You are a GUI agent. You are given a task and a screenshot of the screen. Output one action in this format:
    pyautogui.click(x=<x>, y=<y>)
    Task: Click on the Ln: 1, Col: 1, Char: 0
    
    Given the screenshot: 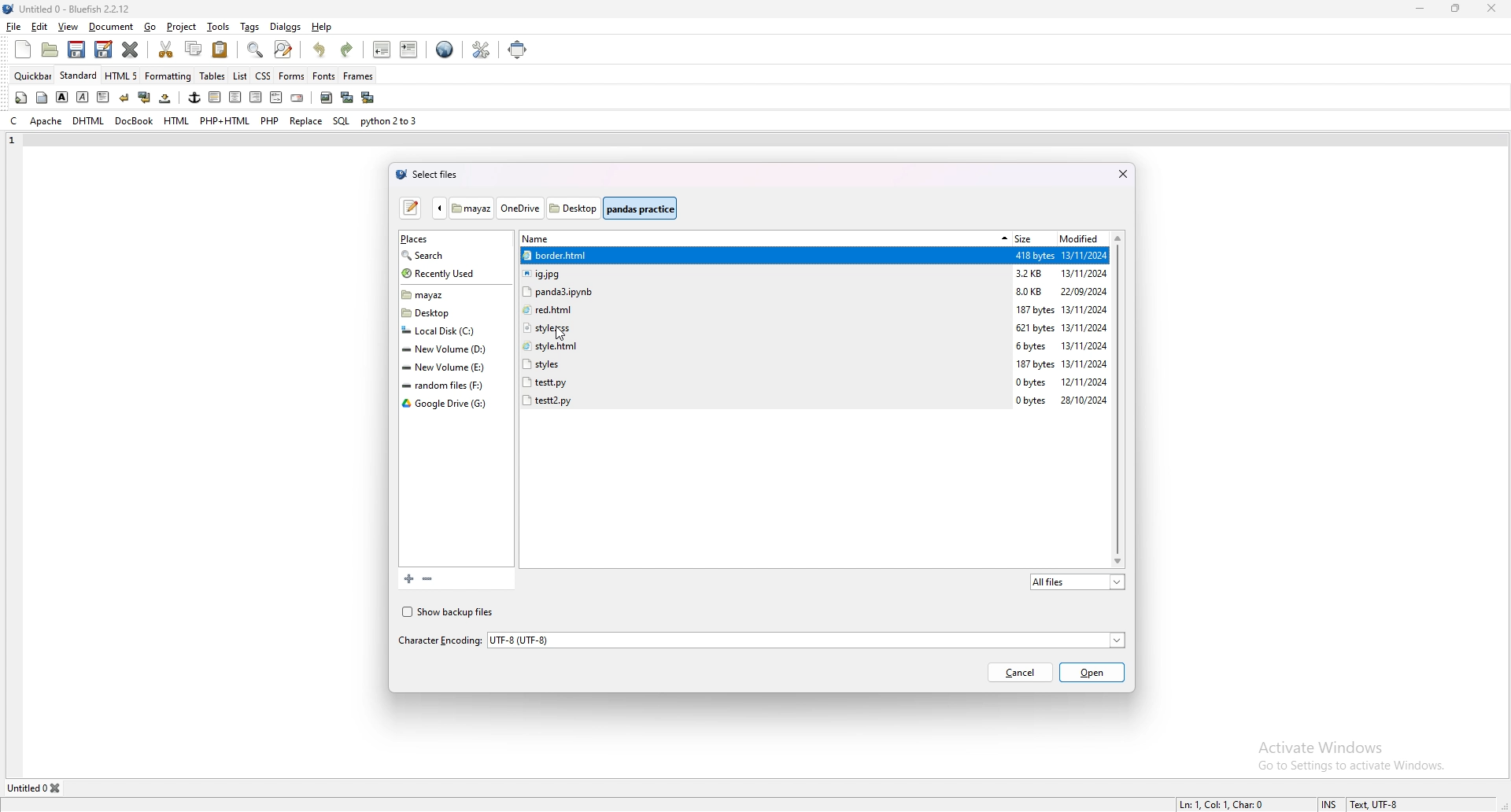 What is the action you would take?
    pyautogui.click(x=1225, y=804)
    